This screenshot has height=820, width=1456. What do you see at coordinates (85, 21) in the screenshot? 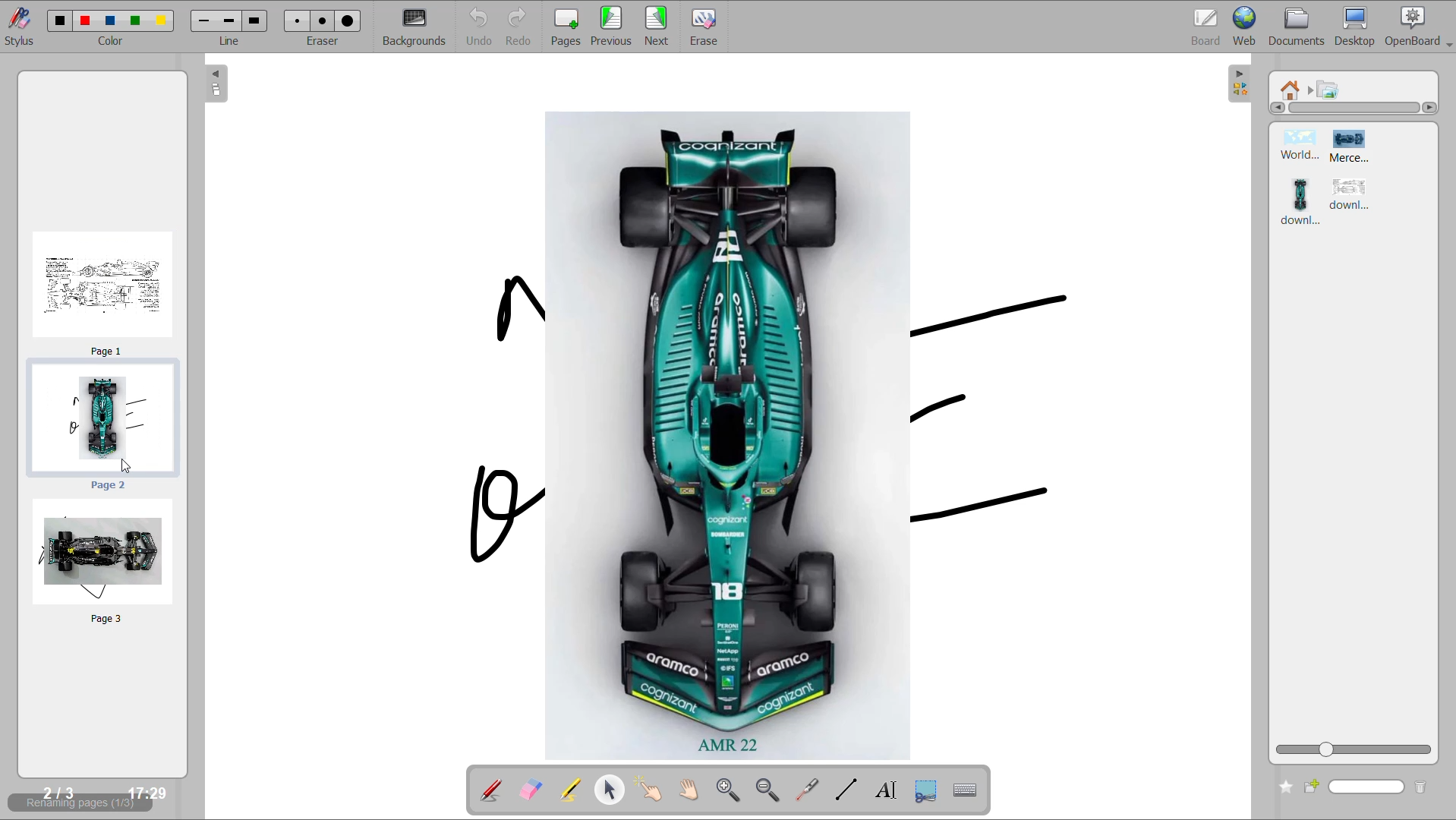
I see `color 2` at bounding box center [85, 21].